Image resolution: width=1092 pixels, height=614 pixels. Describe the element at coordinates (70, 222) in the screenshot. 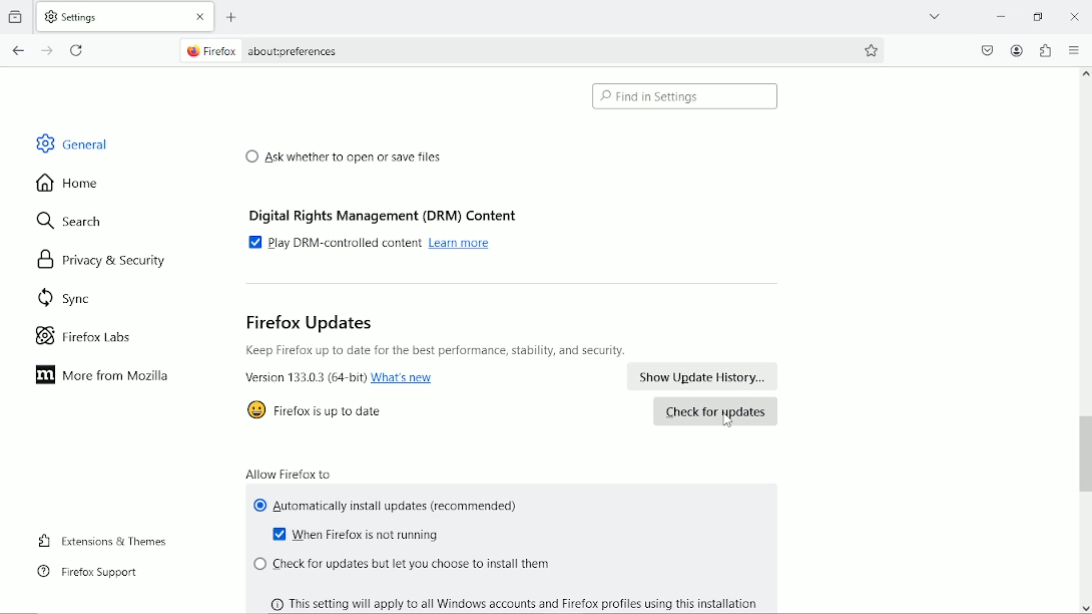

I see `search` at that location.